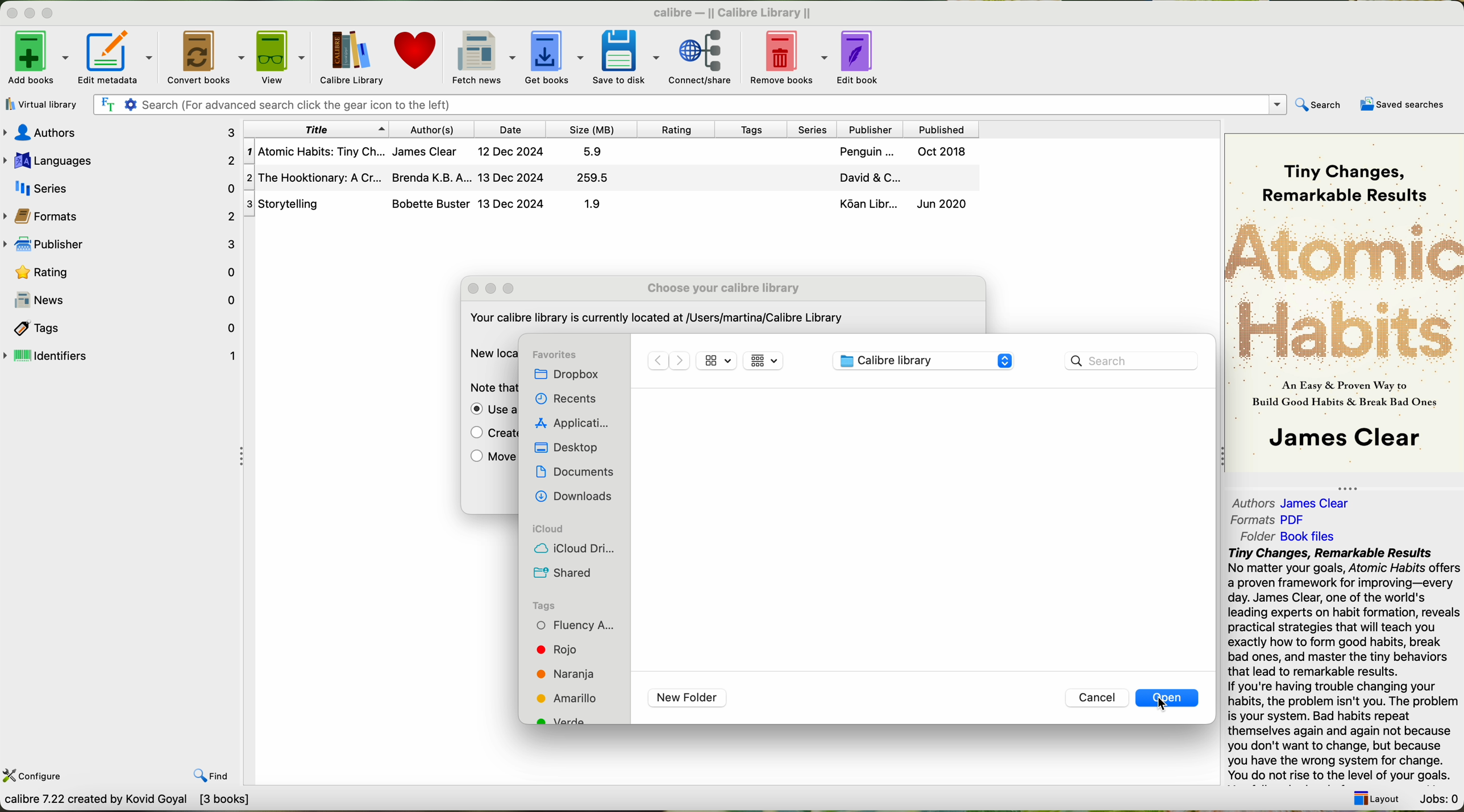 The width and height of the screenshot is (1464, 812). I want to click on note that putting the calibre library on a Networked drive, so click(493, 387).